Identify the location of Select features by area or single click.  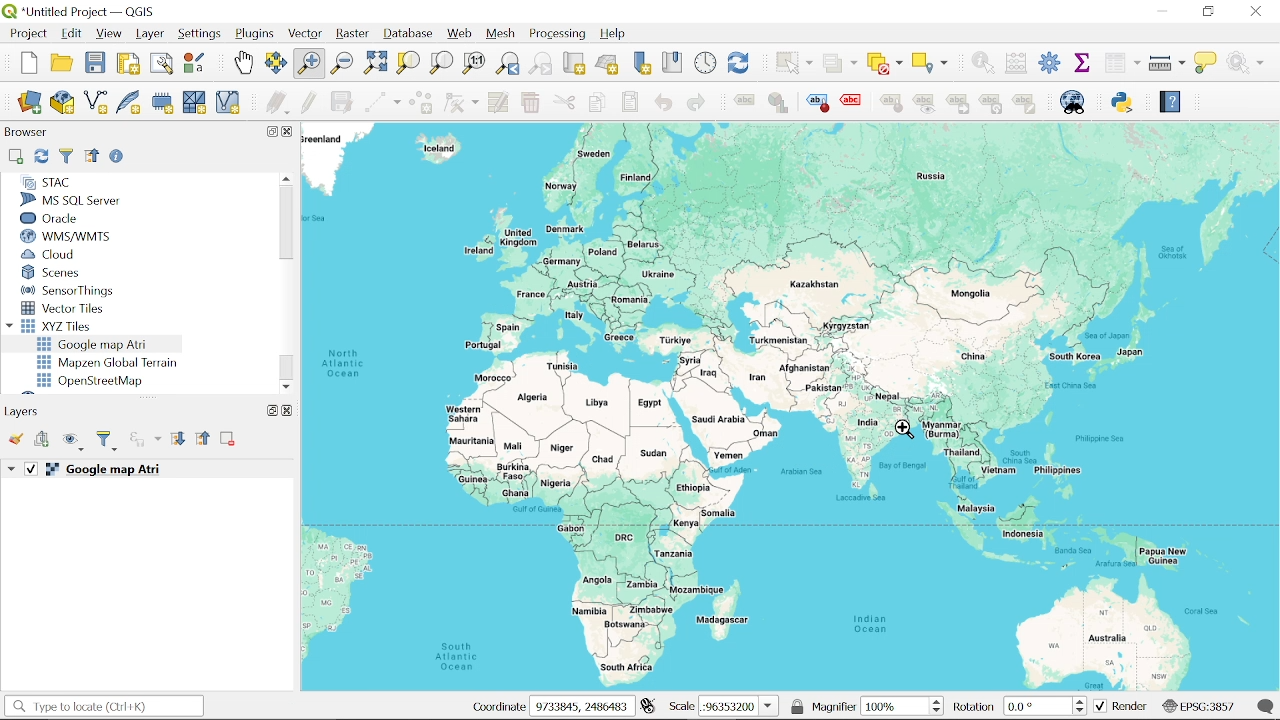
(791, 62).